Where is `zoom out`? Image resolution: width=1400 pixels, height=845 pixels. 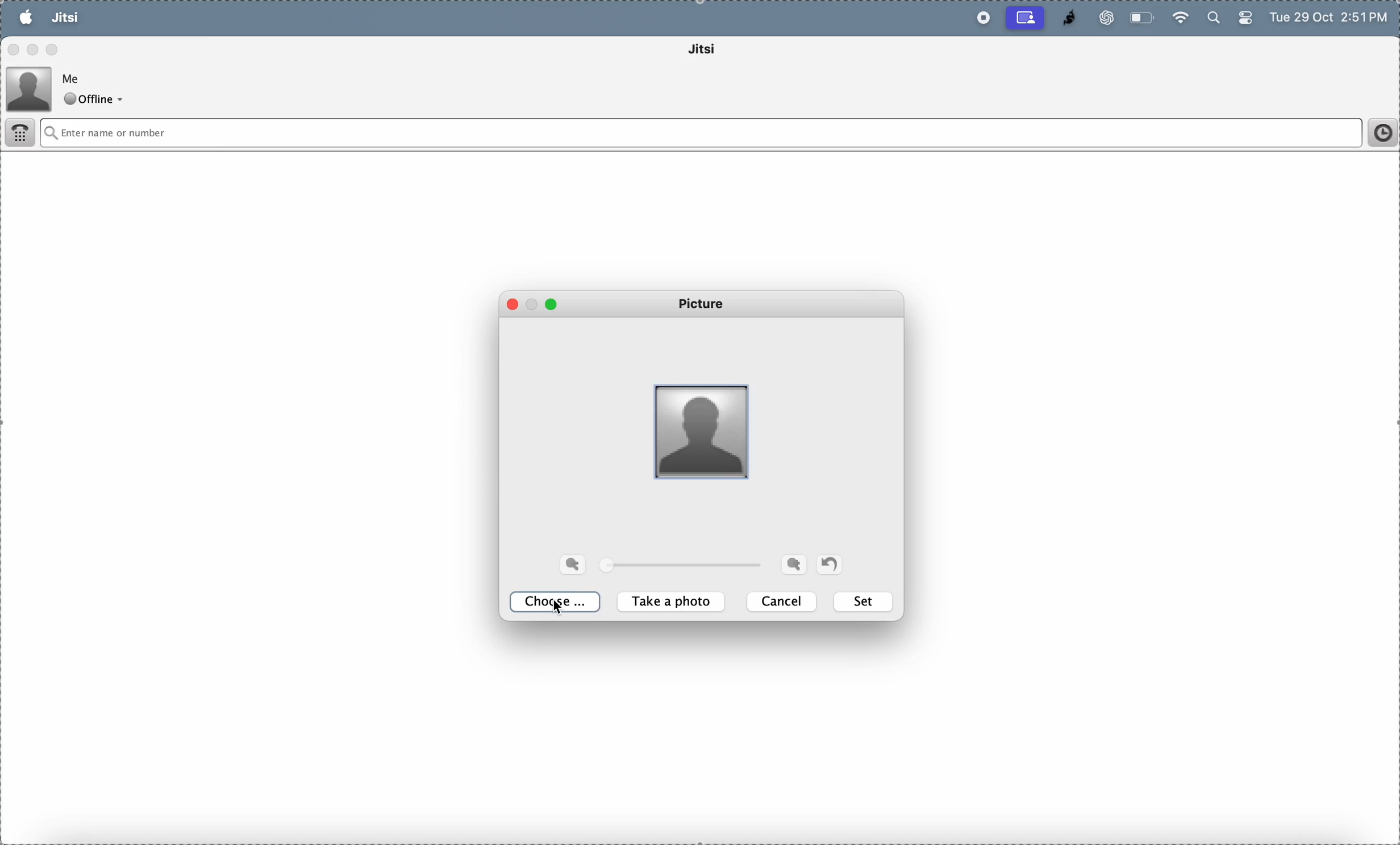
zoom out is located at coordinates (794, 564).